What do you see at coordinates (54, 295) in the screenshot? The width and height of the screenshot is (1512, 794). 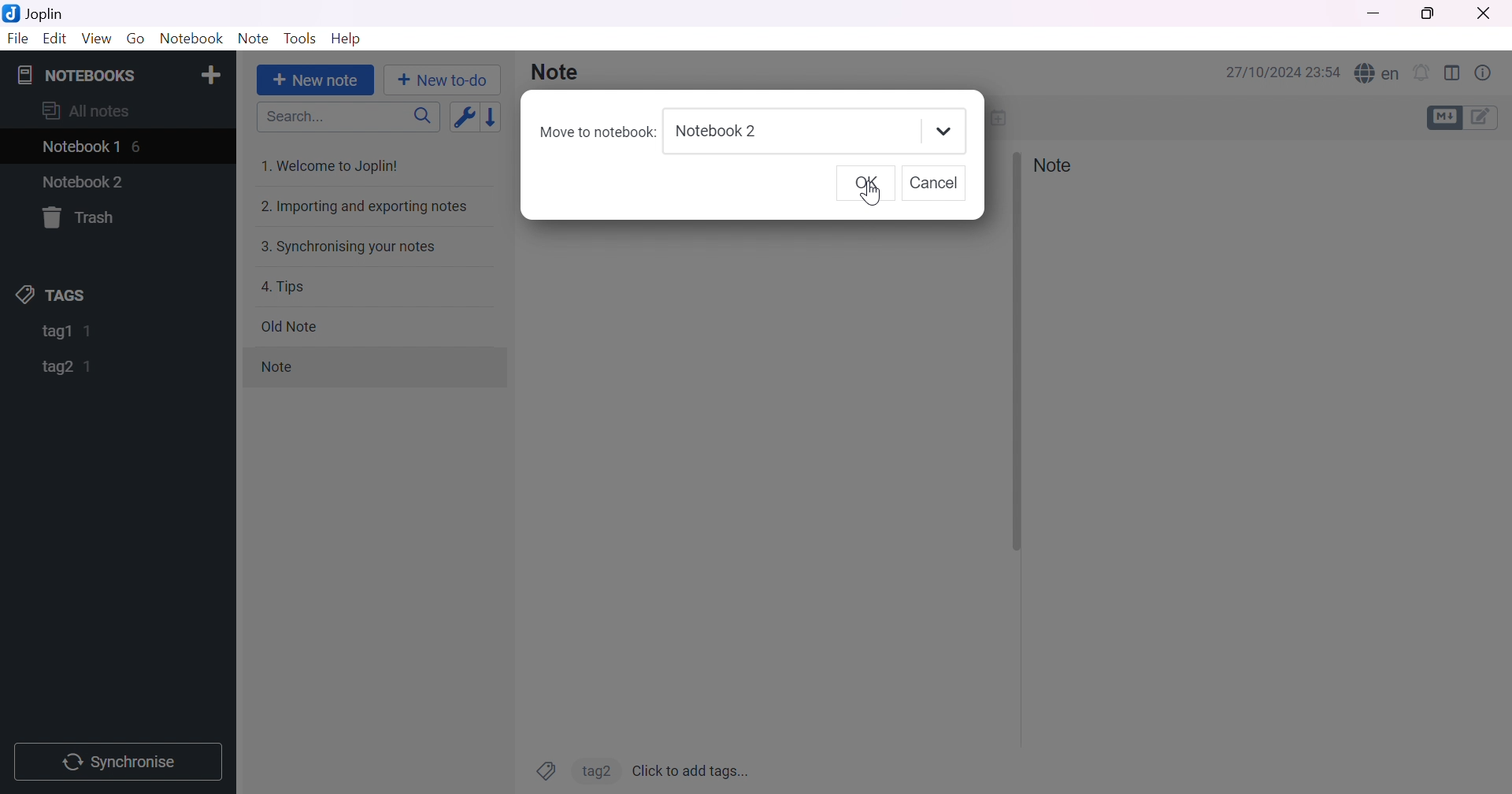 I see `TAGS` at bounding box center [54, 295].